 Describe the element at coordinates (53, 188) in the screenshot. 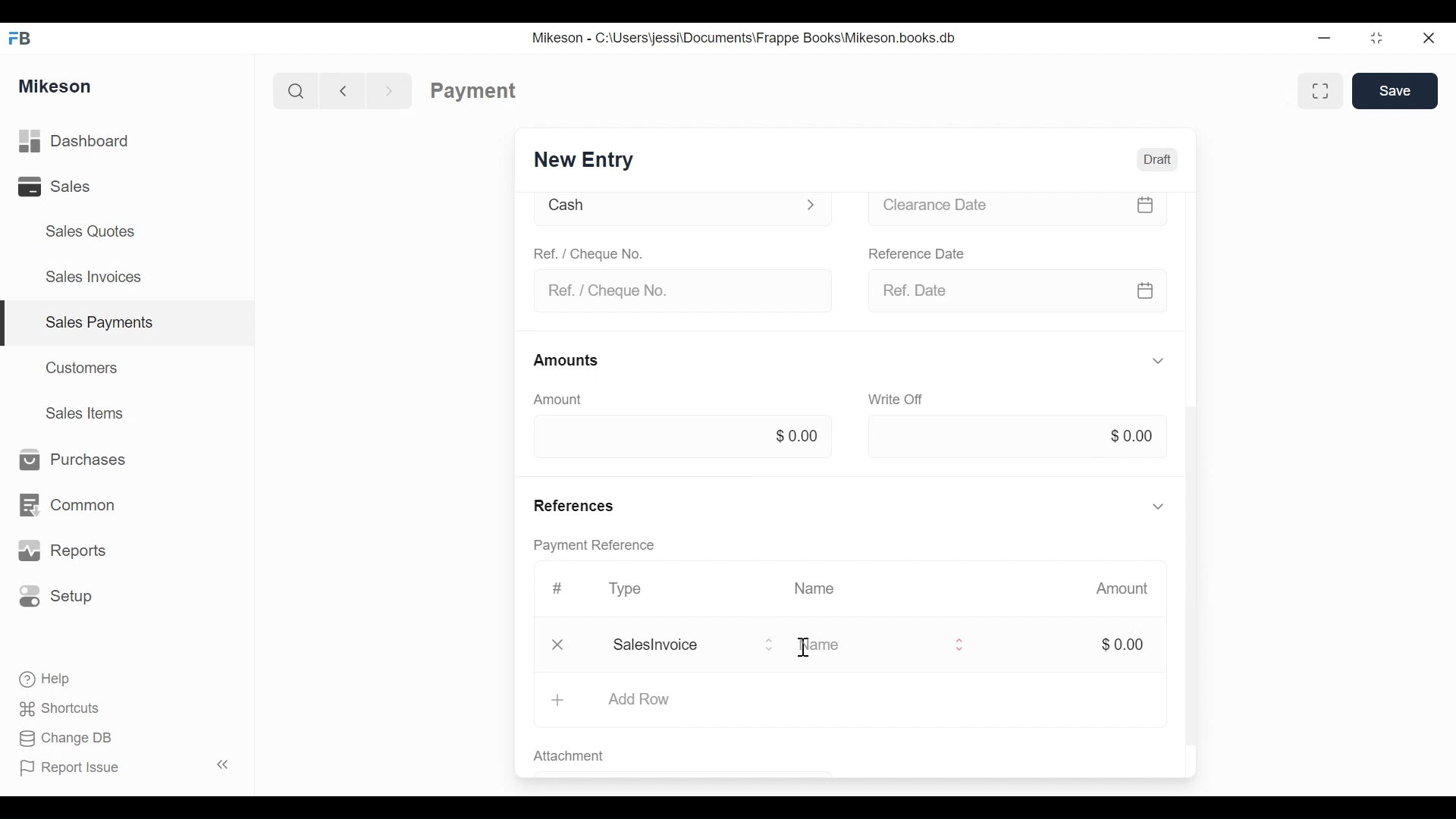

I see `Sales` at that location.